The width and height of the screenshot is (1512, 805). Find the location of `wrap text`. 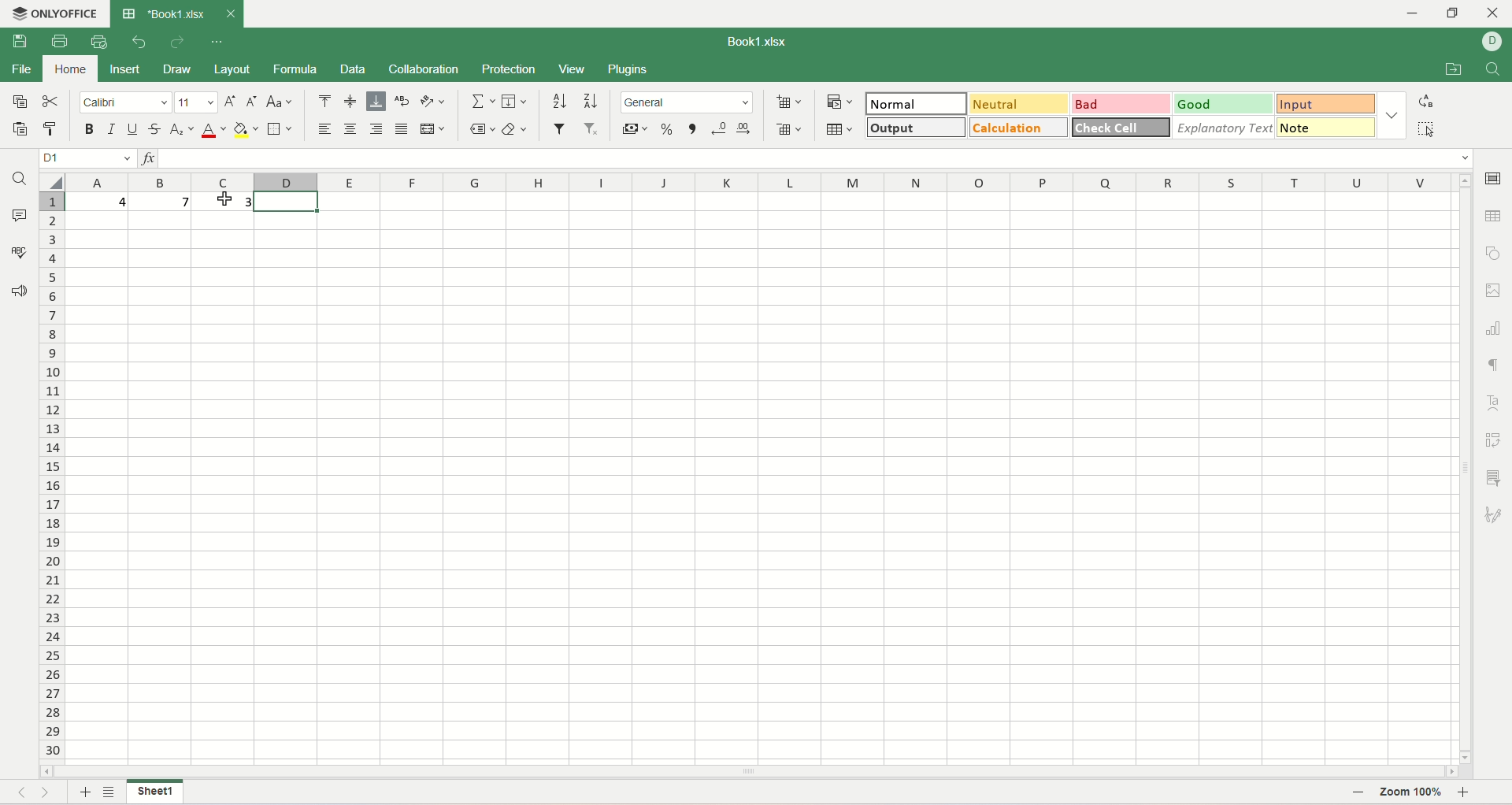

wrap text is located at coordinates (401, 102).